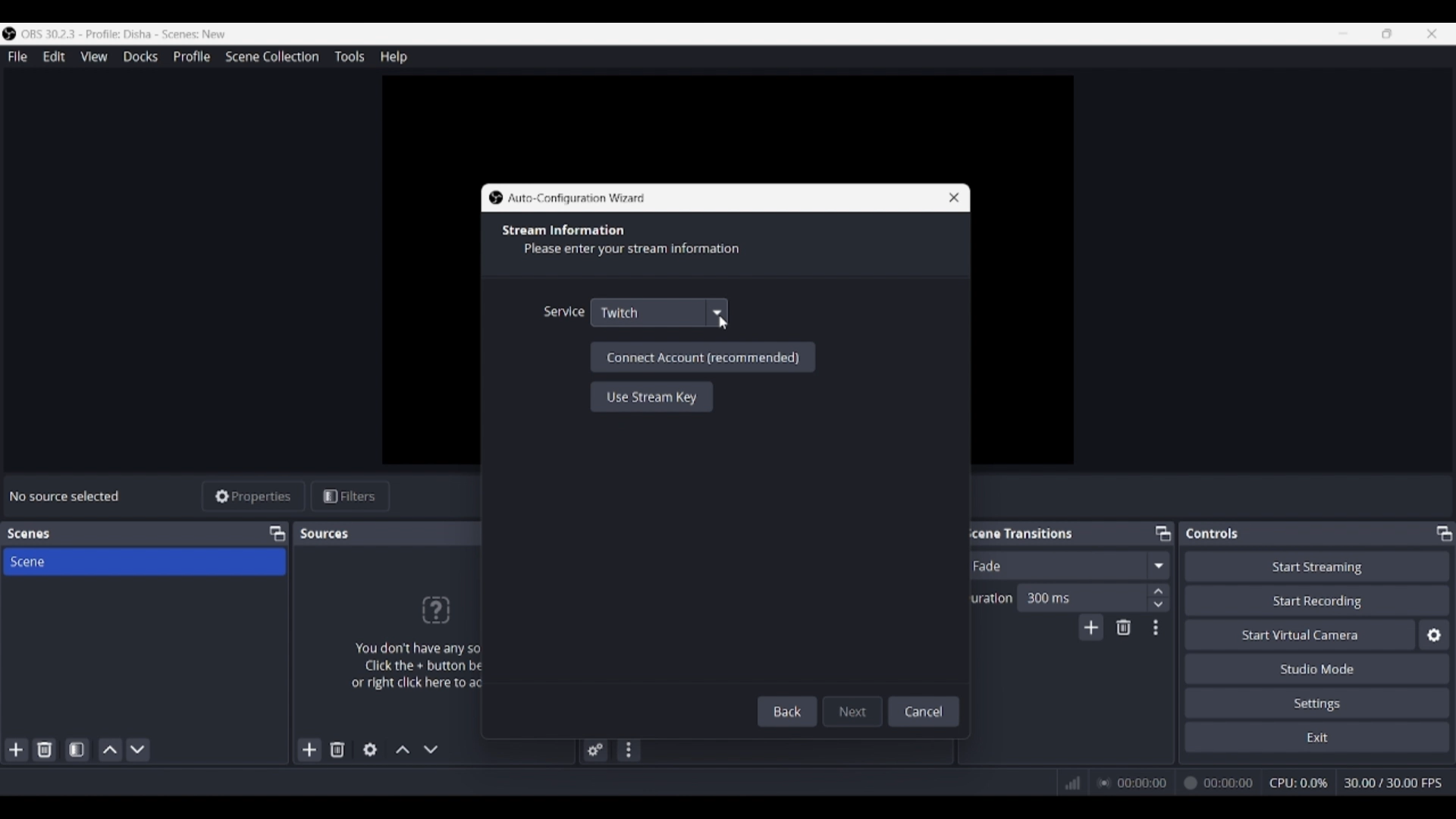 The image size is (1456, 819). Describe the element at coordinates (1317, 736) in the screenshot. I see `Exit` at that location.